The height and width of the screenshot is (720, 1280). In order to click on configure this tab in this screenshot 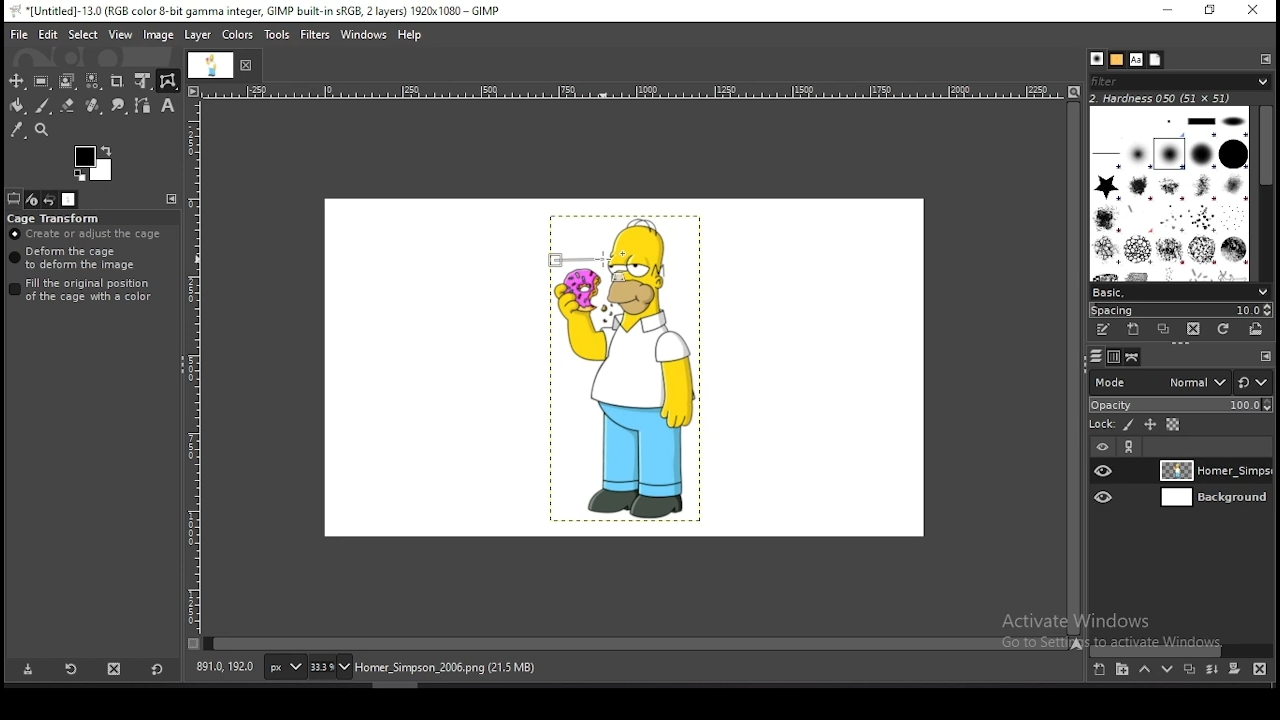, I will do `click(1263, 59)`.